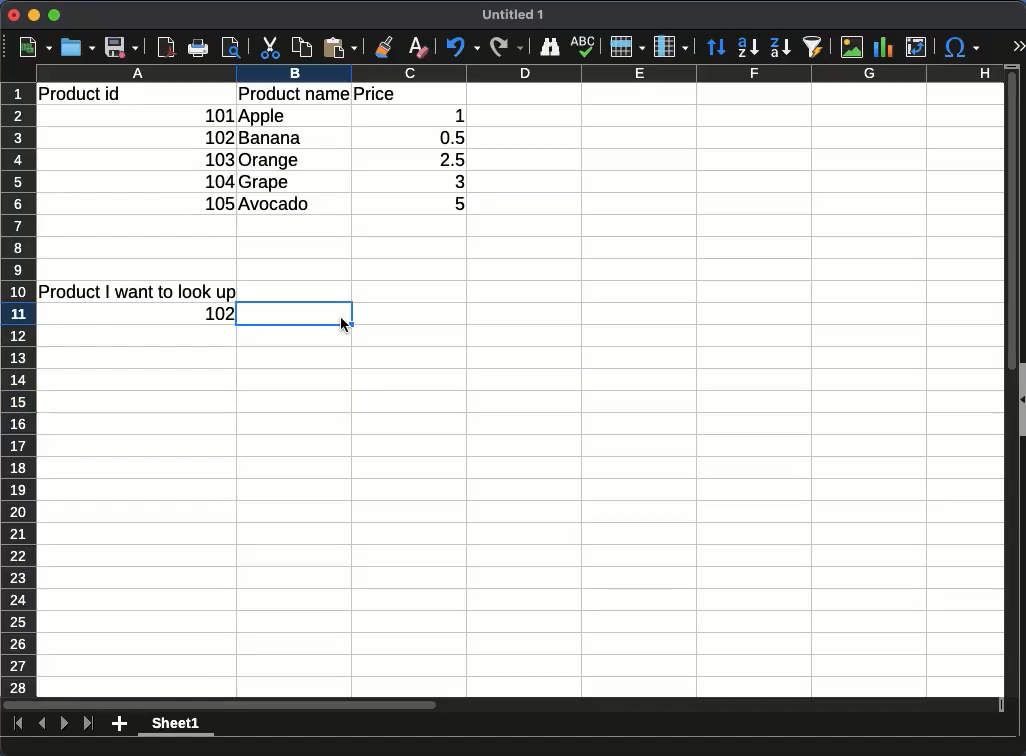 The image size is (1026, 756). I want to click on pivot table, so click(917, 47).